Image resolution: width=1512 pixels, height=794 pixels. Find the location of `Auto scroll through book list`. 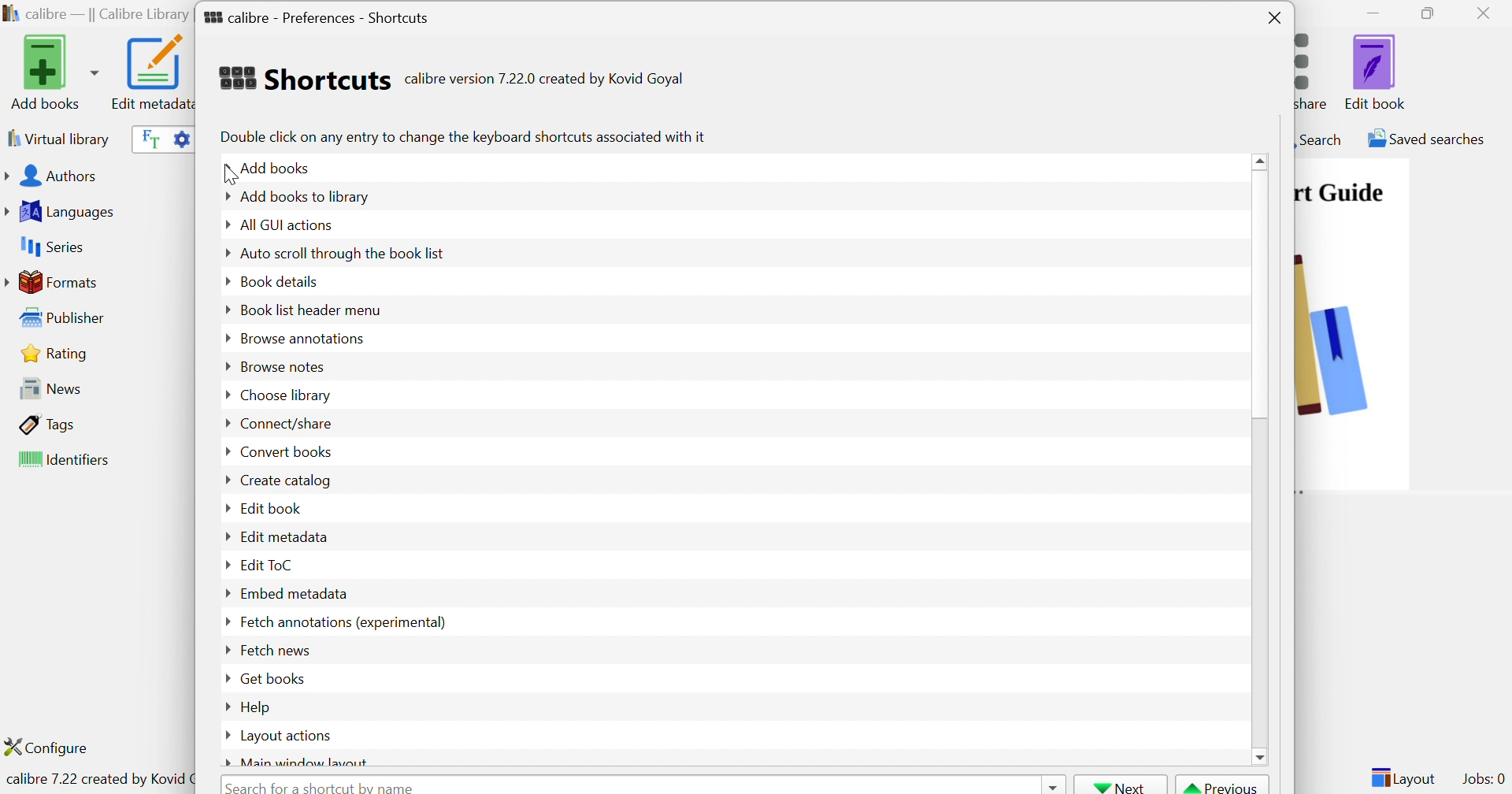

Auto scroll through book list is located at coordinates (344, 252).